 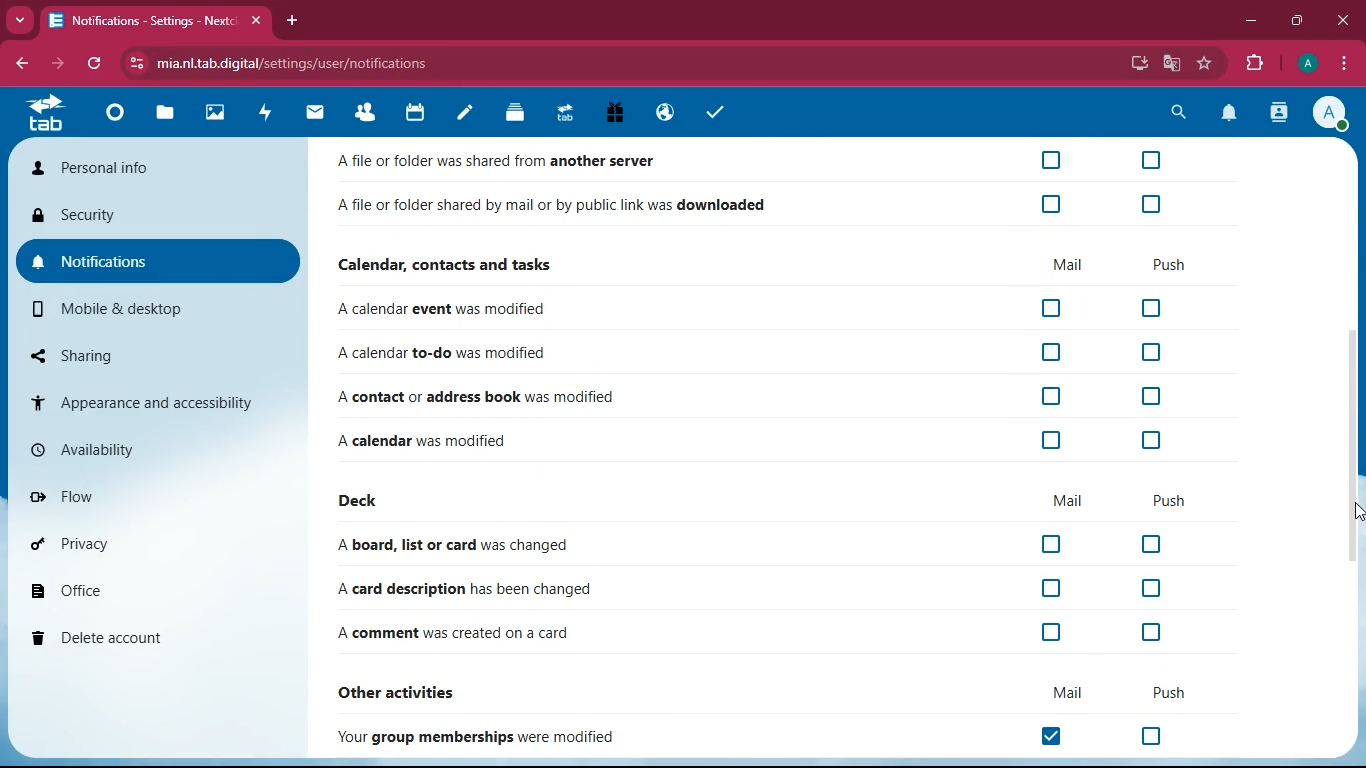 I want to click on notifications, so click(x=1229, y=114).